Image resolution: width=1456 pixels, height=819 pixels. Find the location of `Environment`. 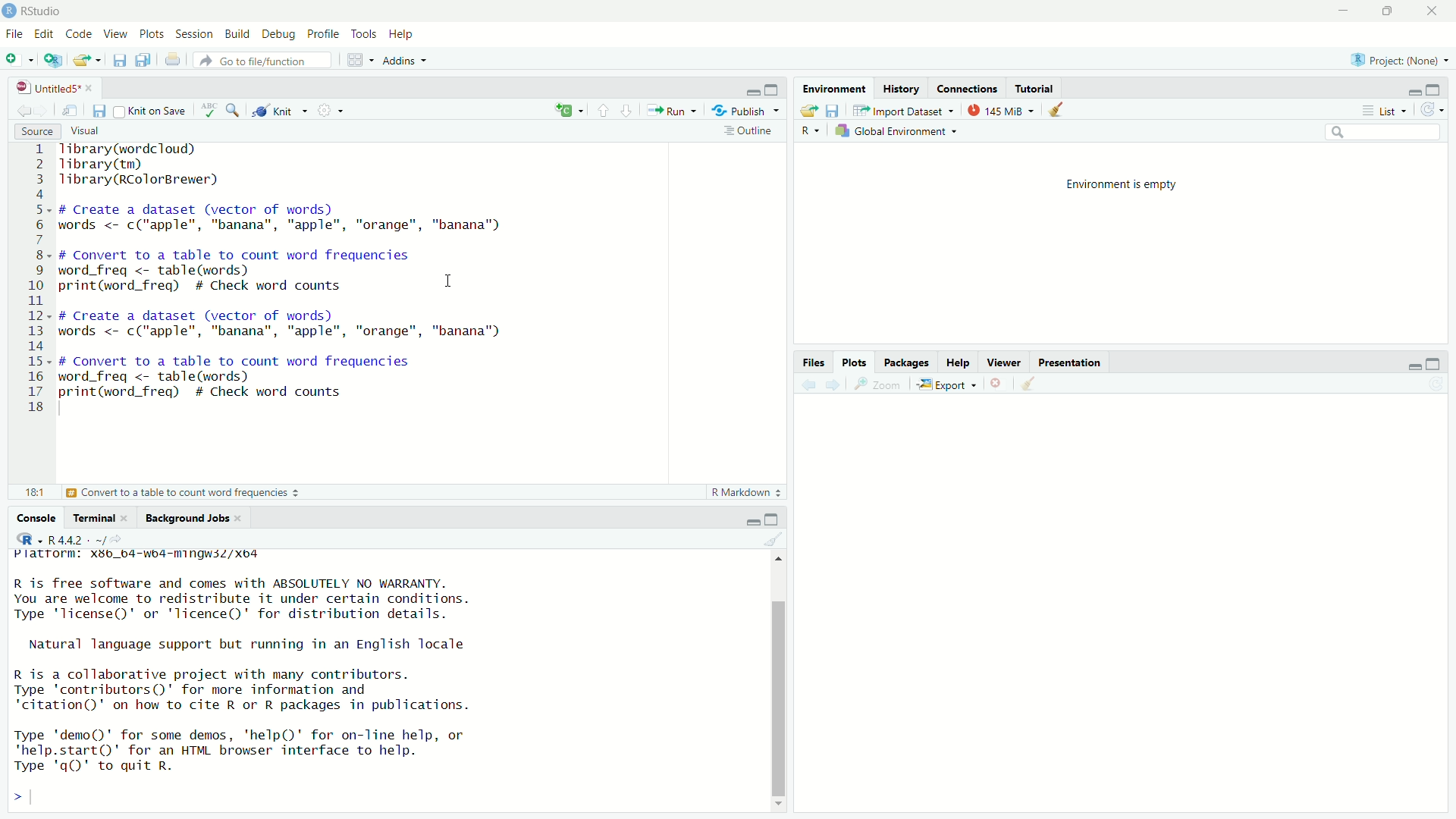

Environment is located at coordinates (833, 89).